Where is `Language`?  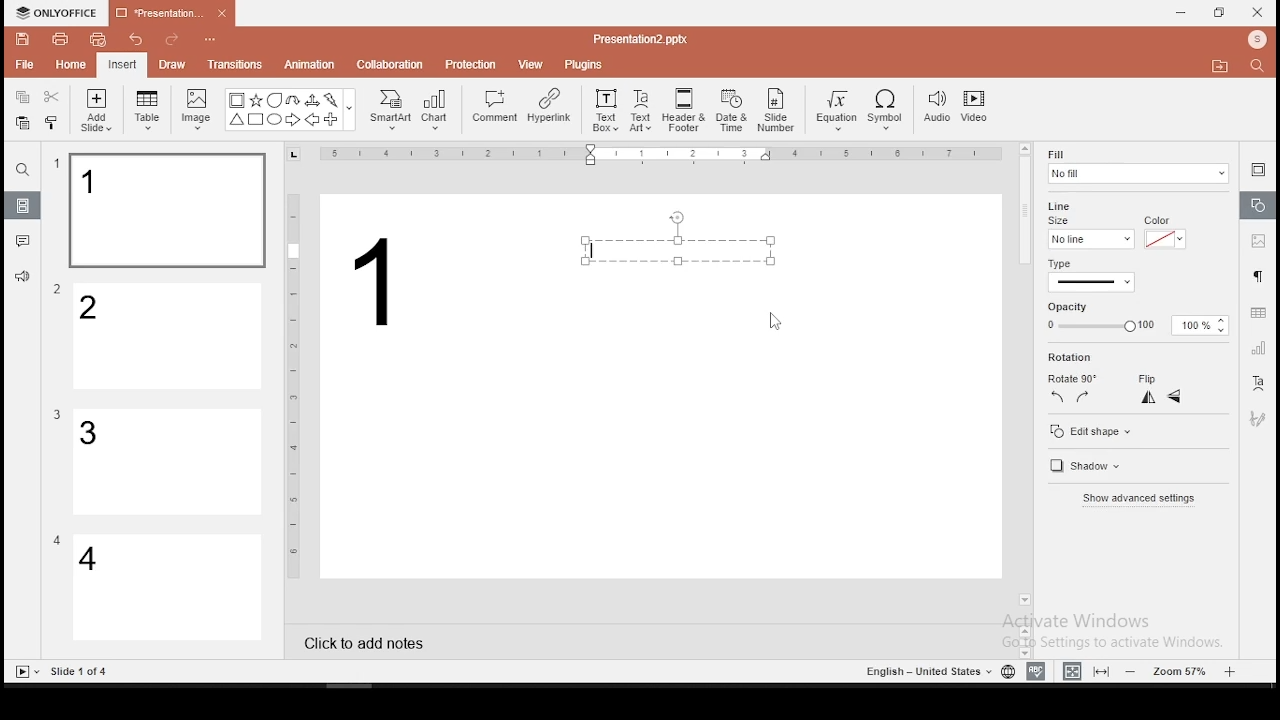
Language is located at coordinates (925, 672).